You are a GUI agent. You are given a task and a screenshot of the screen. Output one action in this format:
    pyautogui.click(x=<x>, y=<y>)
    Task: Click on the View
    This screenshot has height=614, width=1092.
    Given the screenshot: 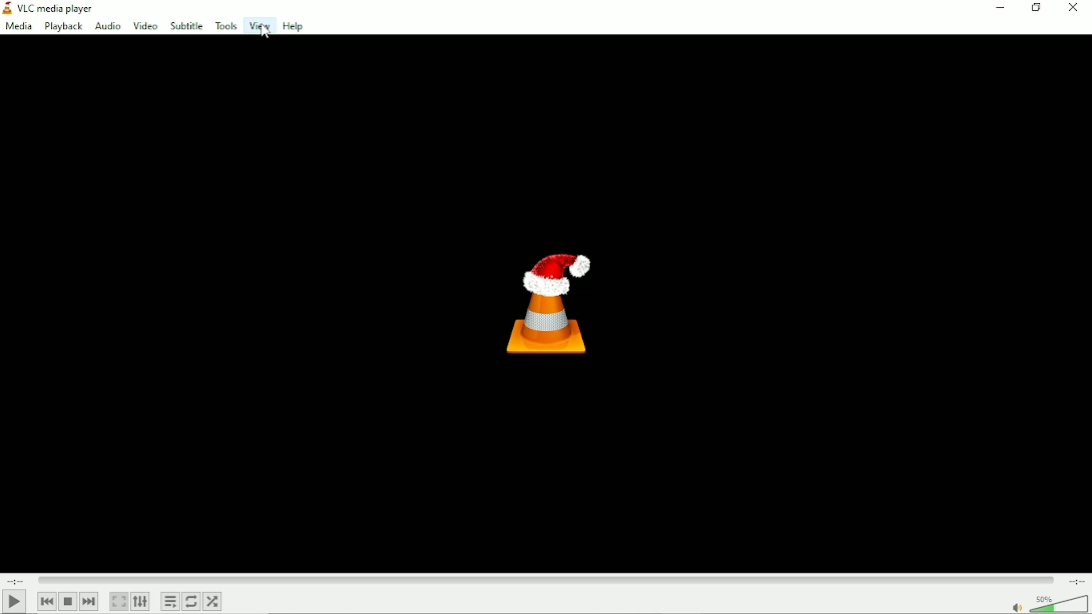 What is the action you would take?
    pyautogui.click(x=257, y=26)
    